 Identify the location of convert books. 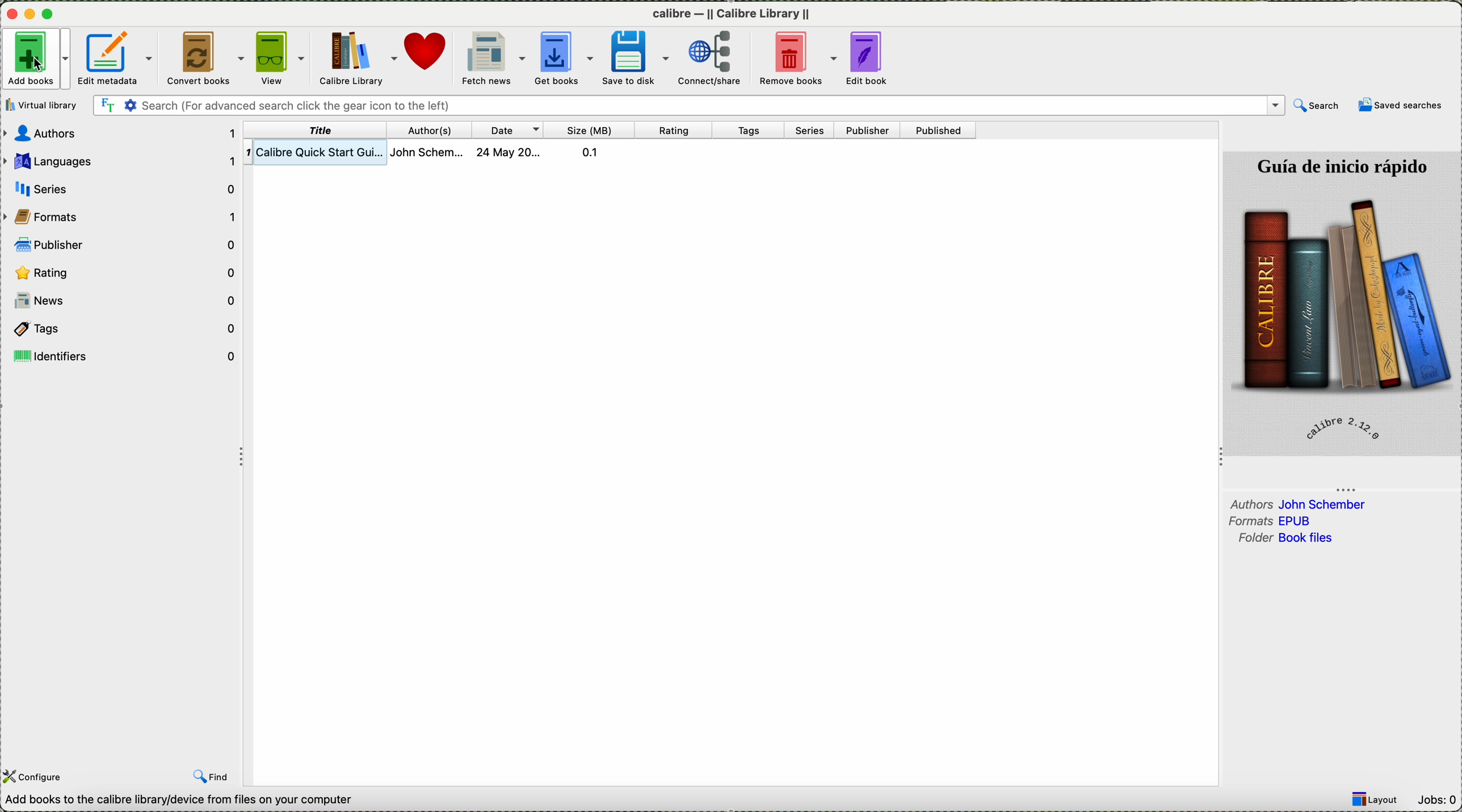
(205, 57).